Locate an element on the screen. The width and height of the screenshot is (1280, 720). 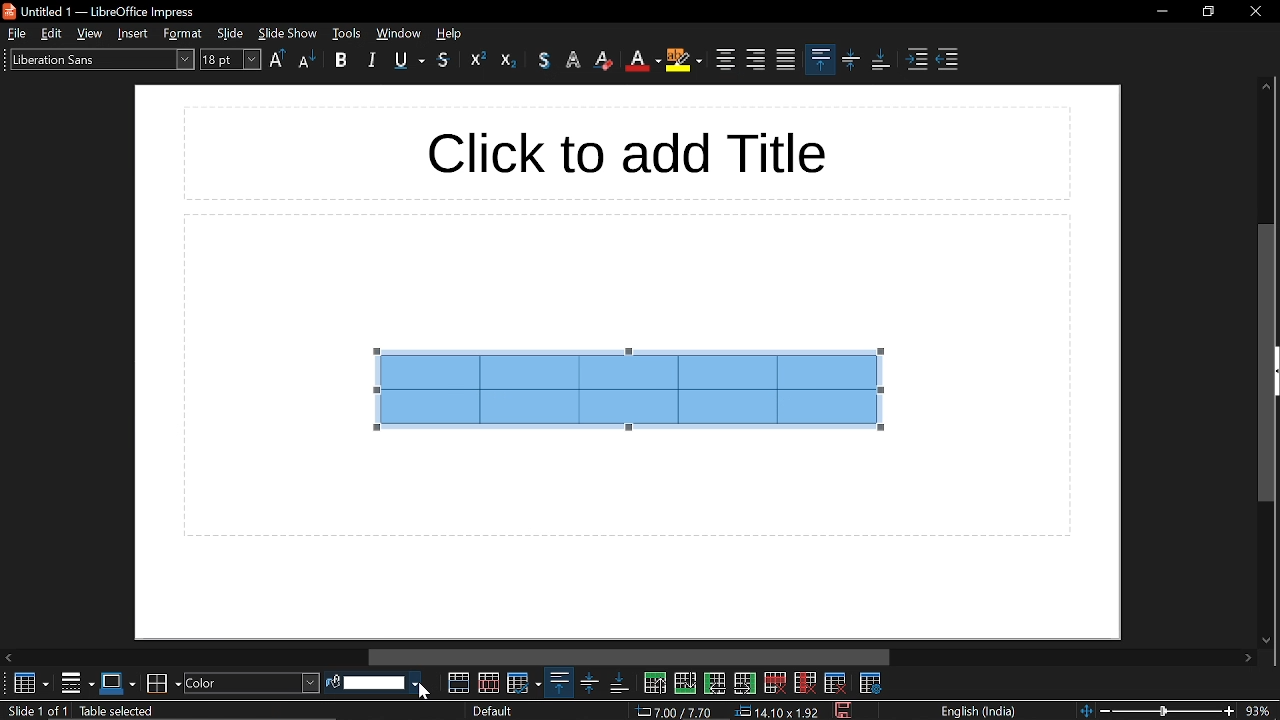
minimize is located at coordinates (1162, 12).